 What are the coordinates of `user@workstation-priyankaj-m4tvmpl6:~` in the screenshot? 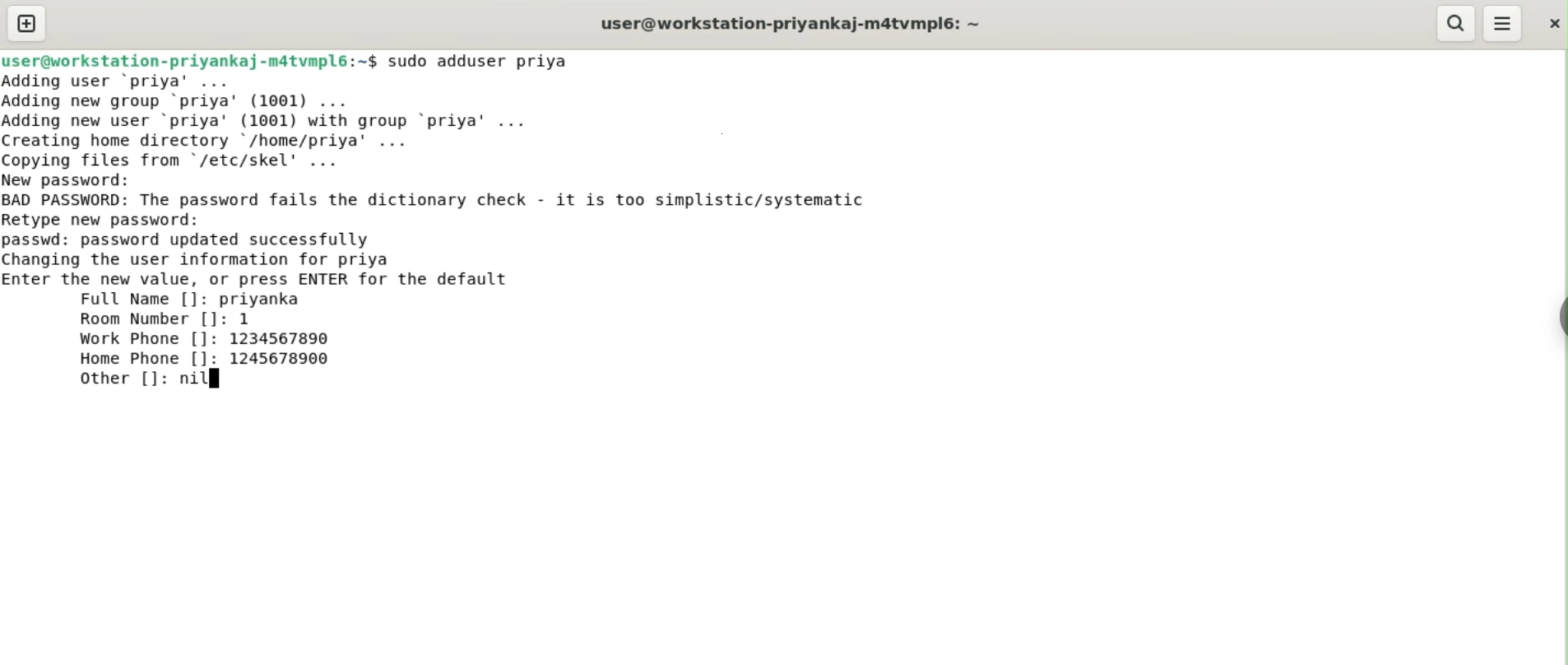 It's located at (787, 23).